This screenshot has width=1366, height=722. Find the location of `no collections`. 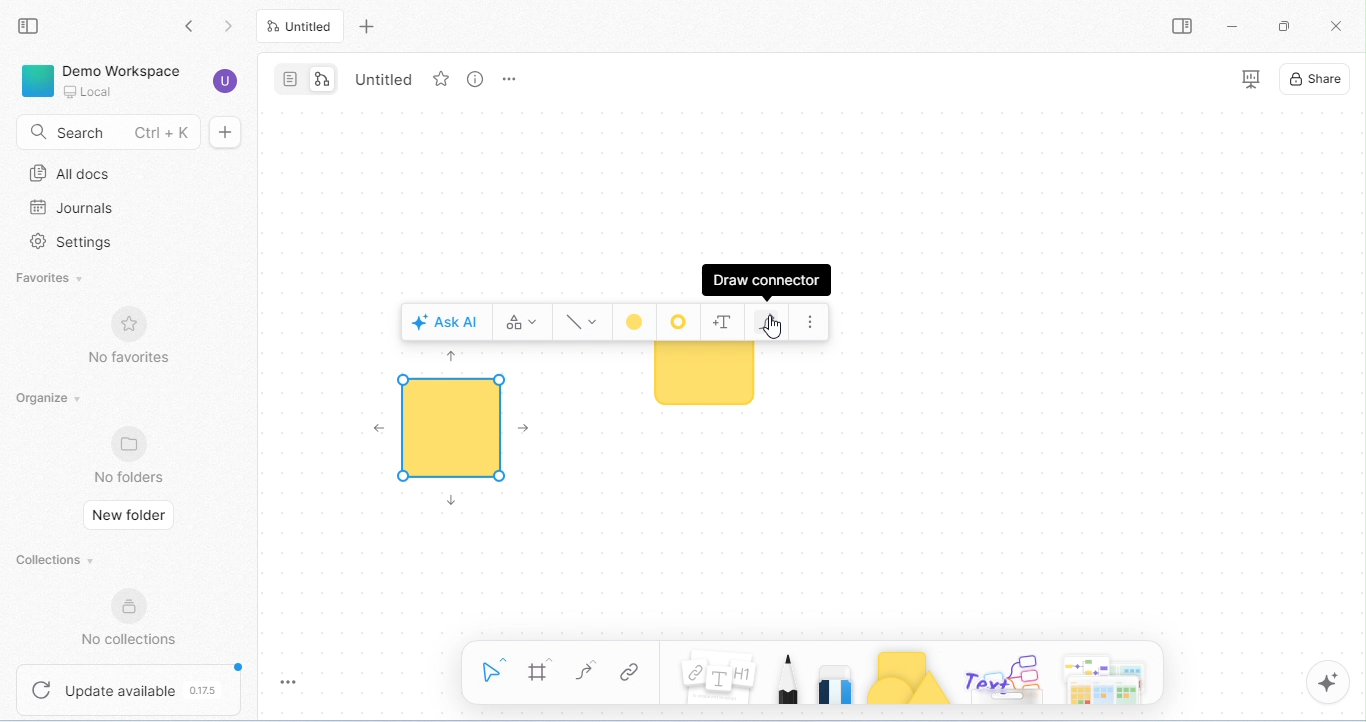

no collections is located at coordinates (137, 620).